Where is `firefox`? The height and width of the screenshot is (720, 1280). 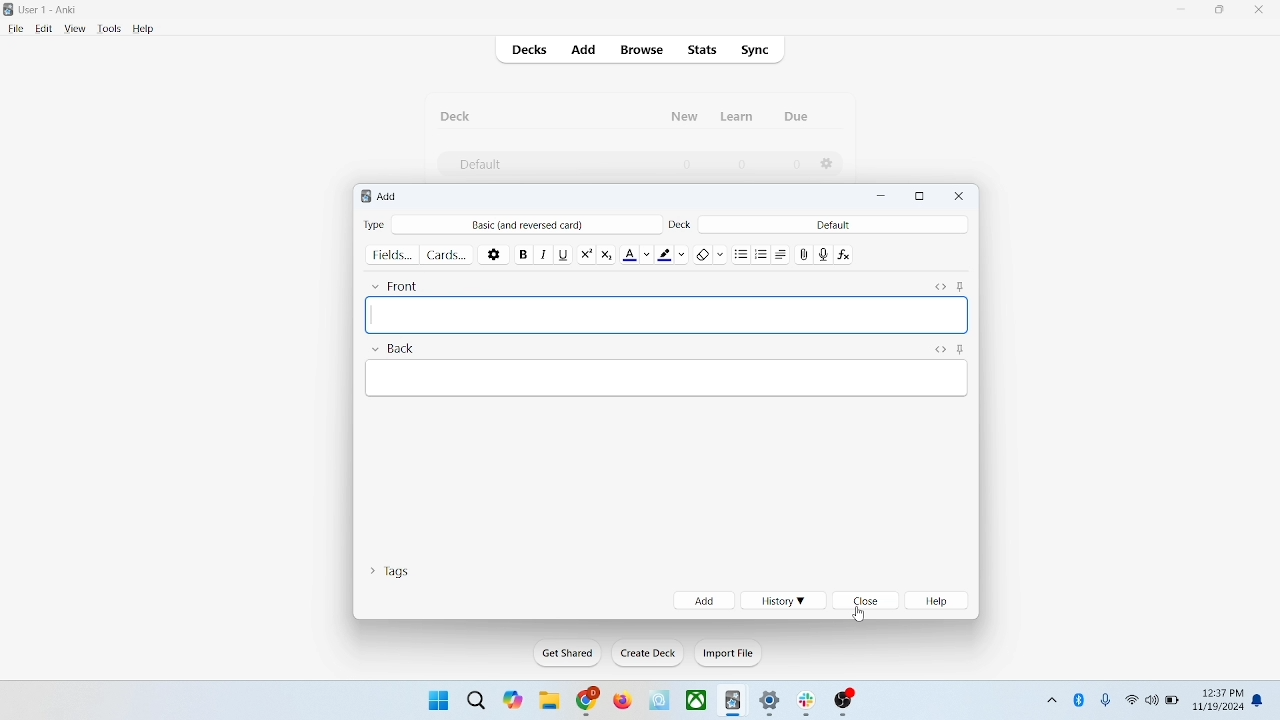
firefox is located at coordinates (622, 701).